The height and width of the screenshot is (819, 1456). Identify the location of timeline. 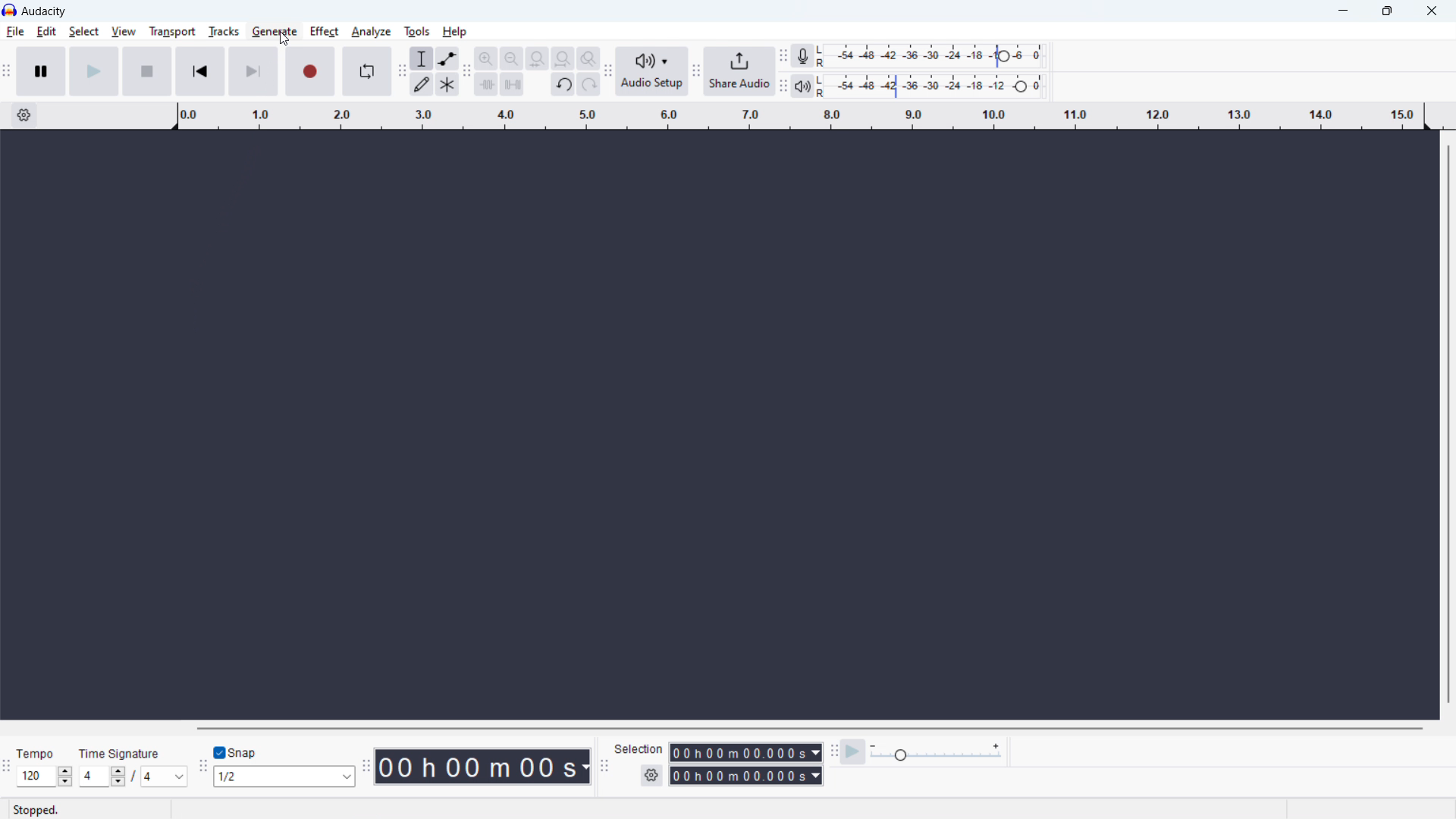
(800, 117).